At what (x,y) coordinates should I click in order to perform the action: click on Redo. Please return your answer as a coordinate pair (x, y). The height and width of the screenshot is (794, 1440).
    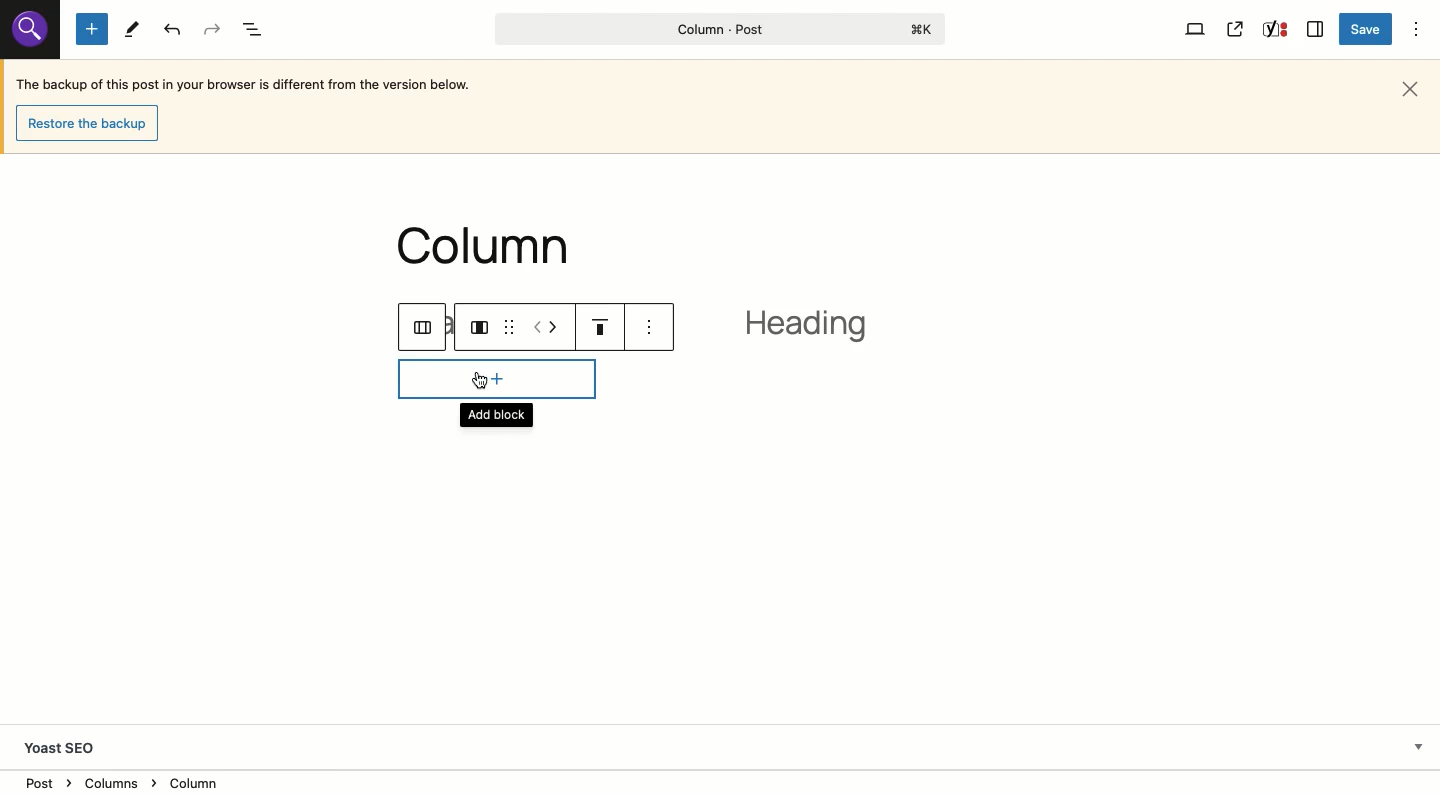
    Looking at the image, I should click on (213, 30).